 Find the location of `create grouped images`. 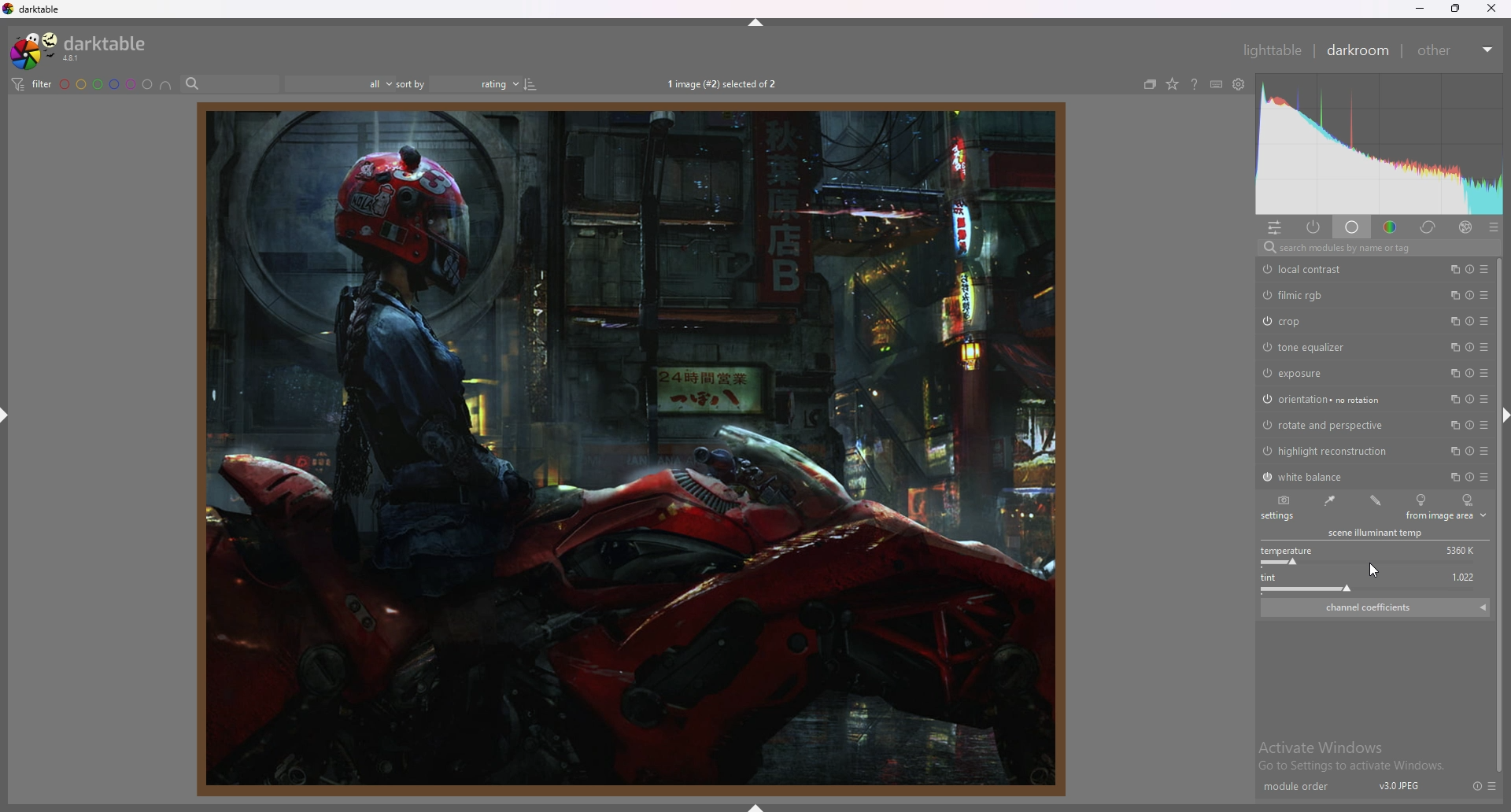

create grouped images is located at coordinates (1150, 85).